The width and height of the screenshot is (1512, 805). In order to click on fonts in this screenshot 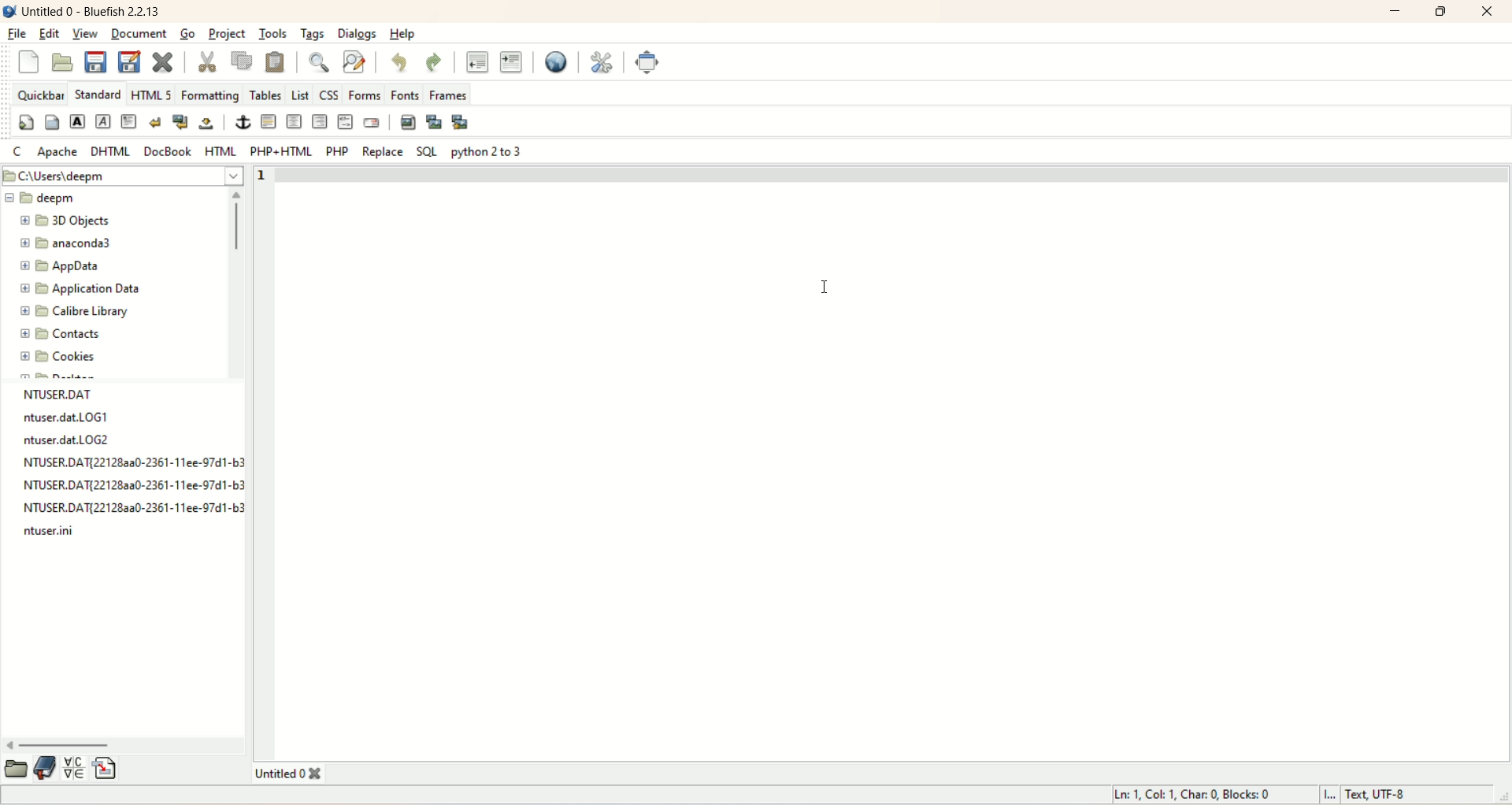, I will do `click(405, 93)`.